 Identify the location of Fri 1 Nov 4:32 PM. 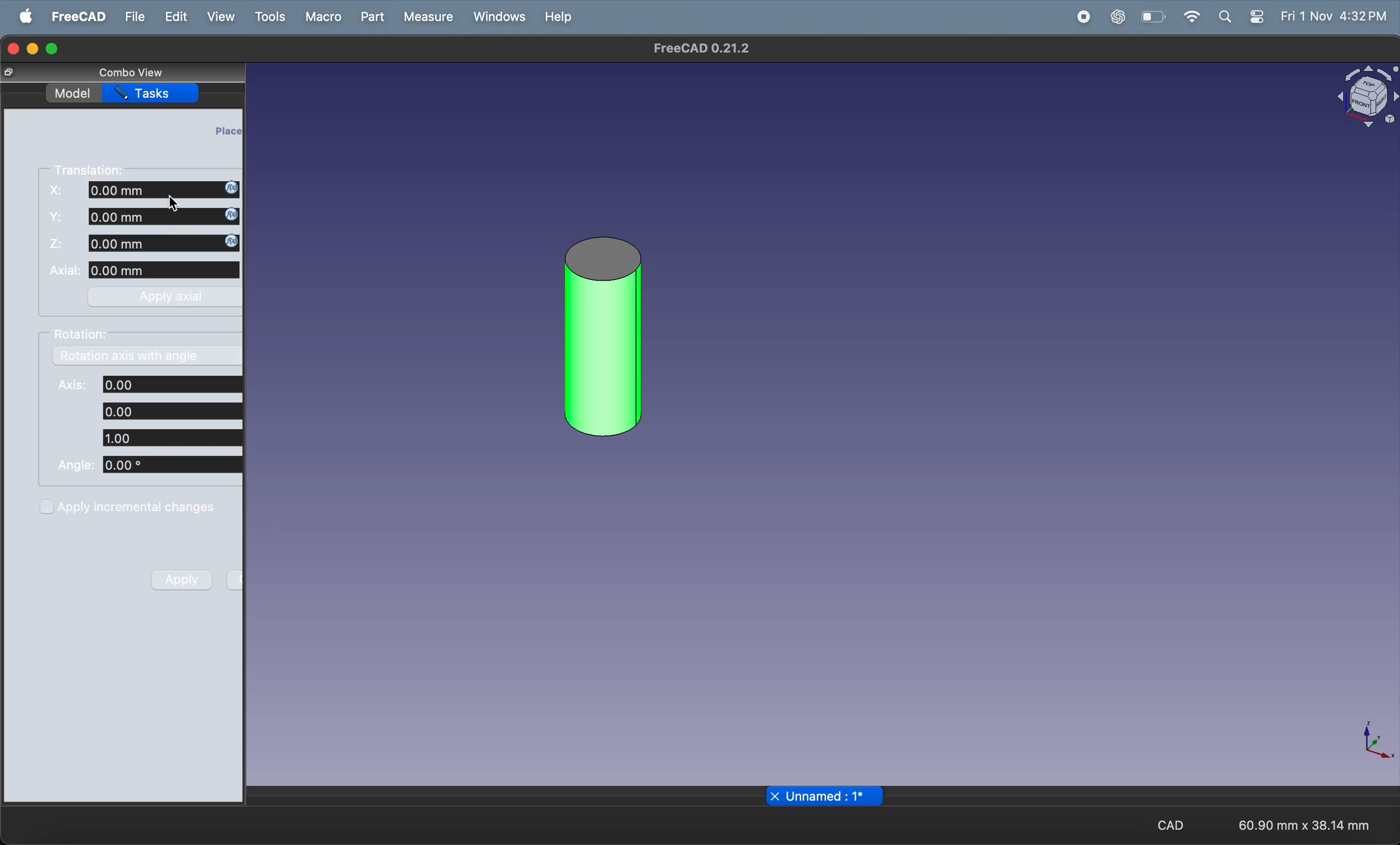
(1334, 17).